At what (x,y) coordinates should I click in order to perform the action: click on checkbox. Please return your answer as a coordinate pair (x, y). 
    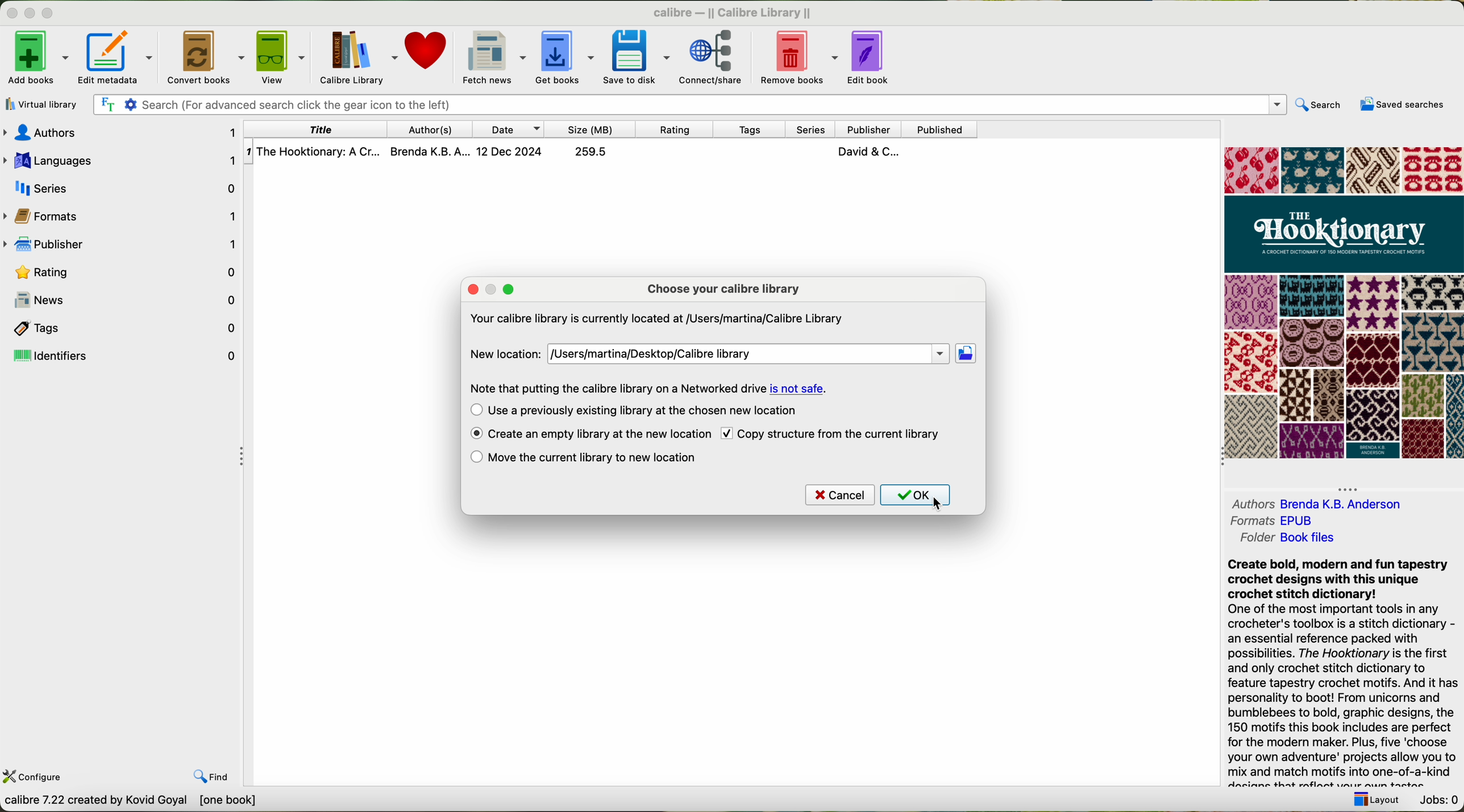
    Looking at the image, I should click on (474, 409).